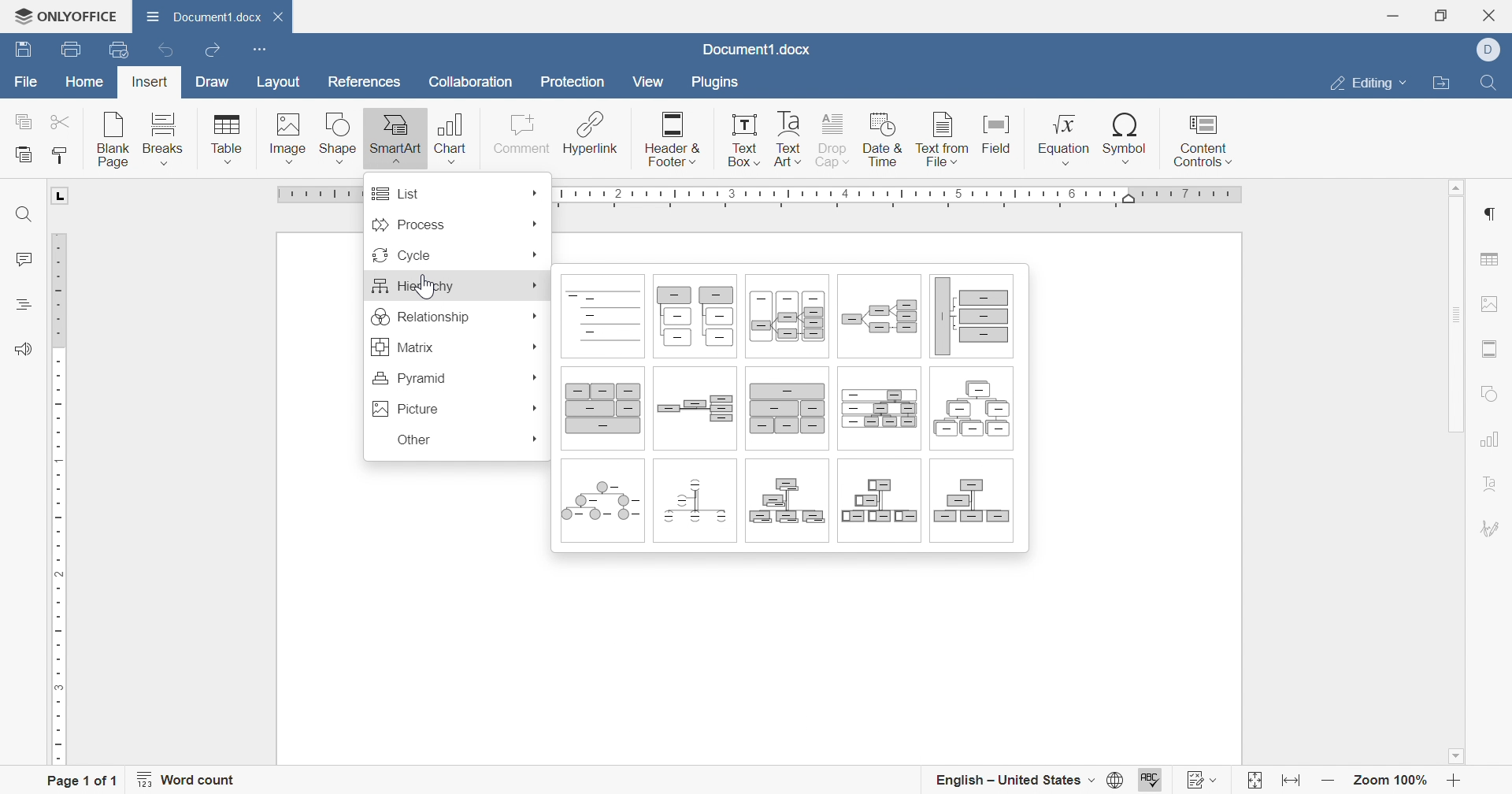 Image resolution: width=1512 pixels, height=794 pixels. I want to click on Cut, so click(63, 121).